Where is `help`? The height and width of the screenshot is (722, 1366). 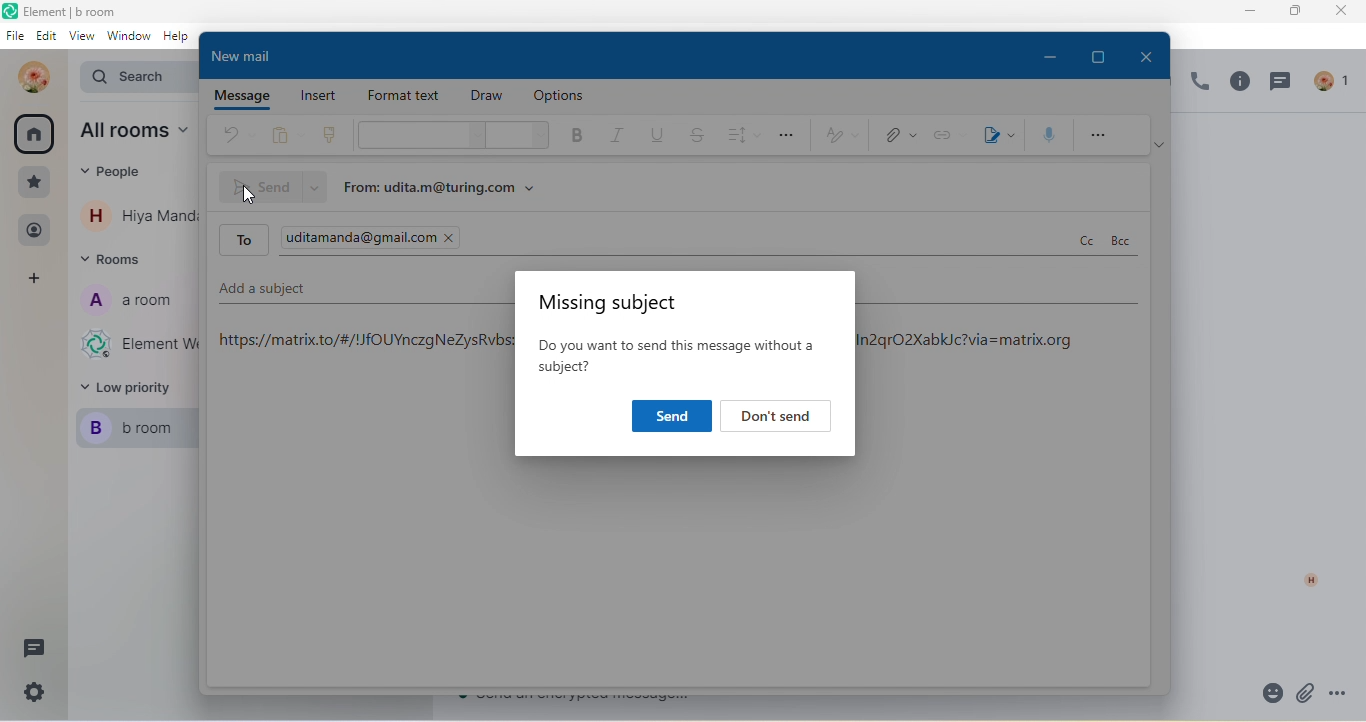 help is located at coordinates (180, 42).